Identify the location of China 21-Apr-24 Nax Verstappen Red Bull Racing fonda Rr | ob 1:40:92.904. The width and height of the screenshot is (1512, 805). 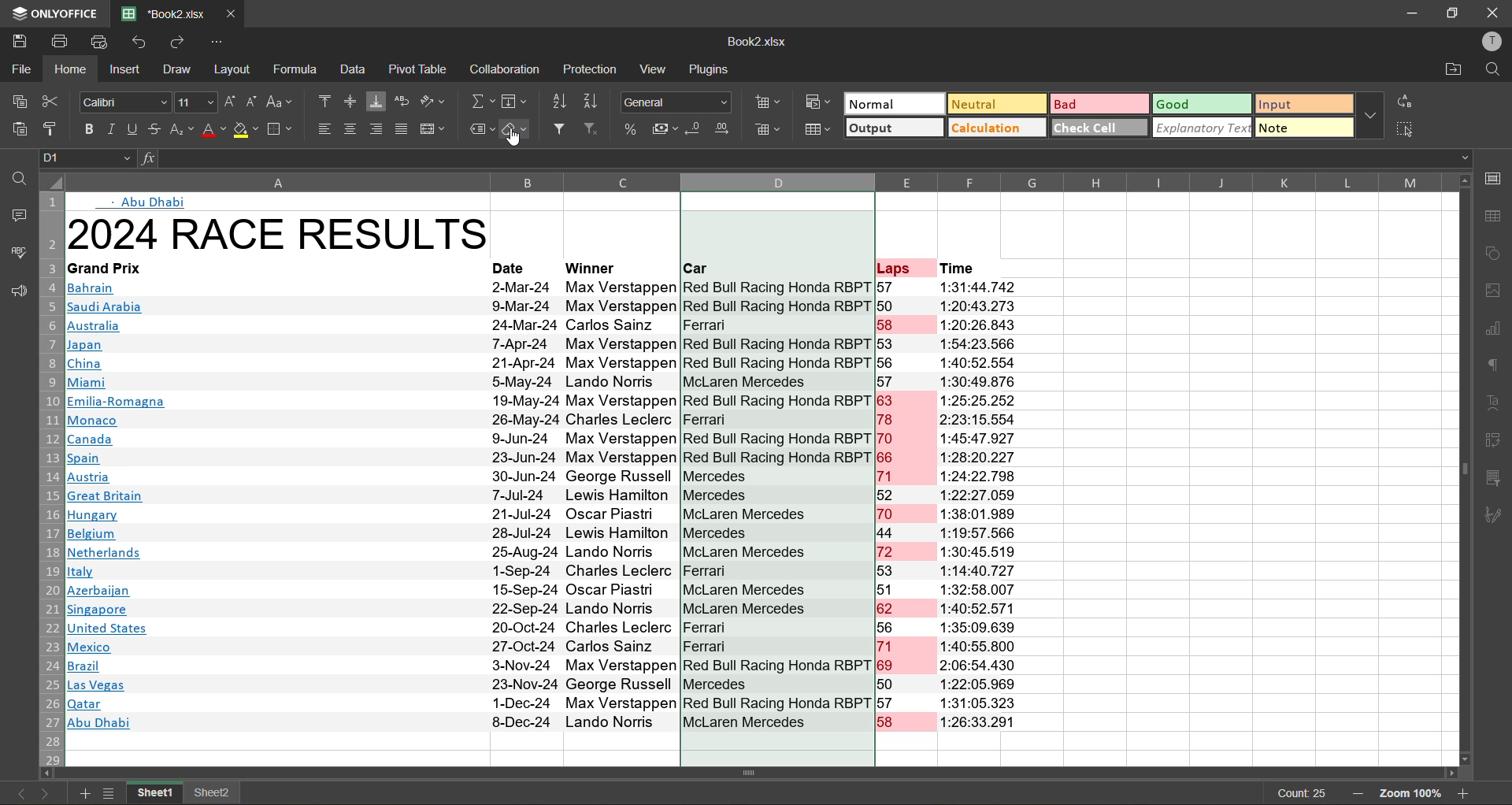
(545, 364).